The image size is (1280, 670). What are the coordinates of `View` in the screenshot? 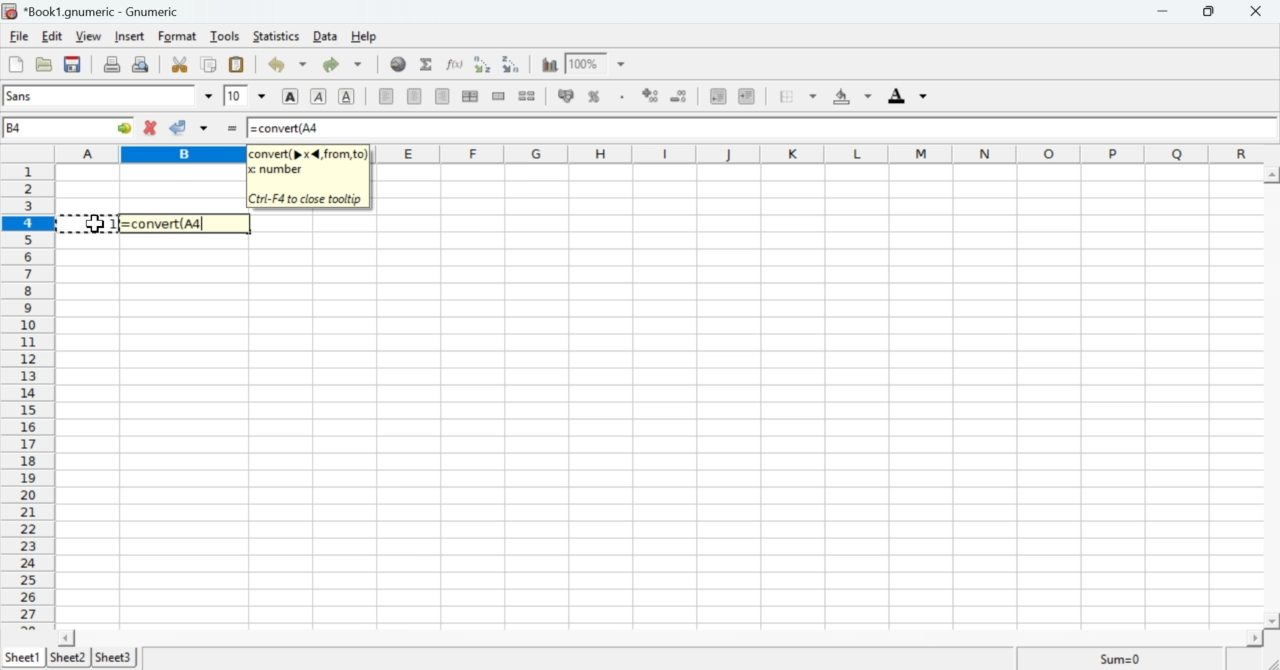 It's located at (92, 36).